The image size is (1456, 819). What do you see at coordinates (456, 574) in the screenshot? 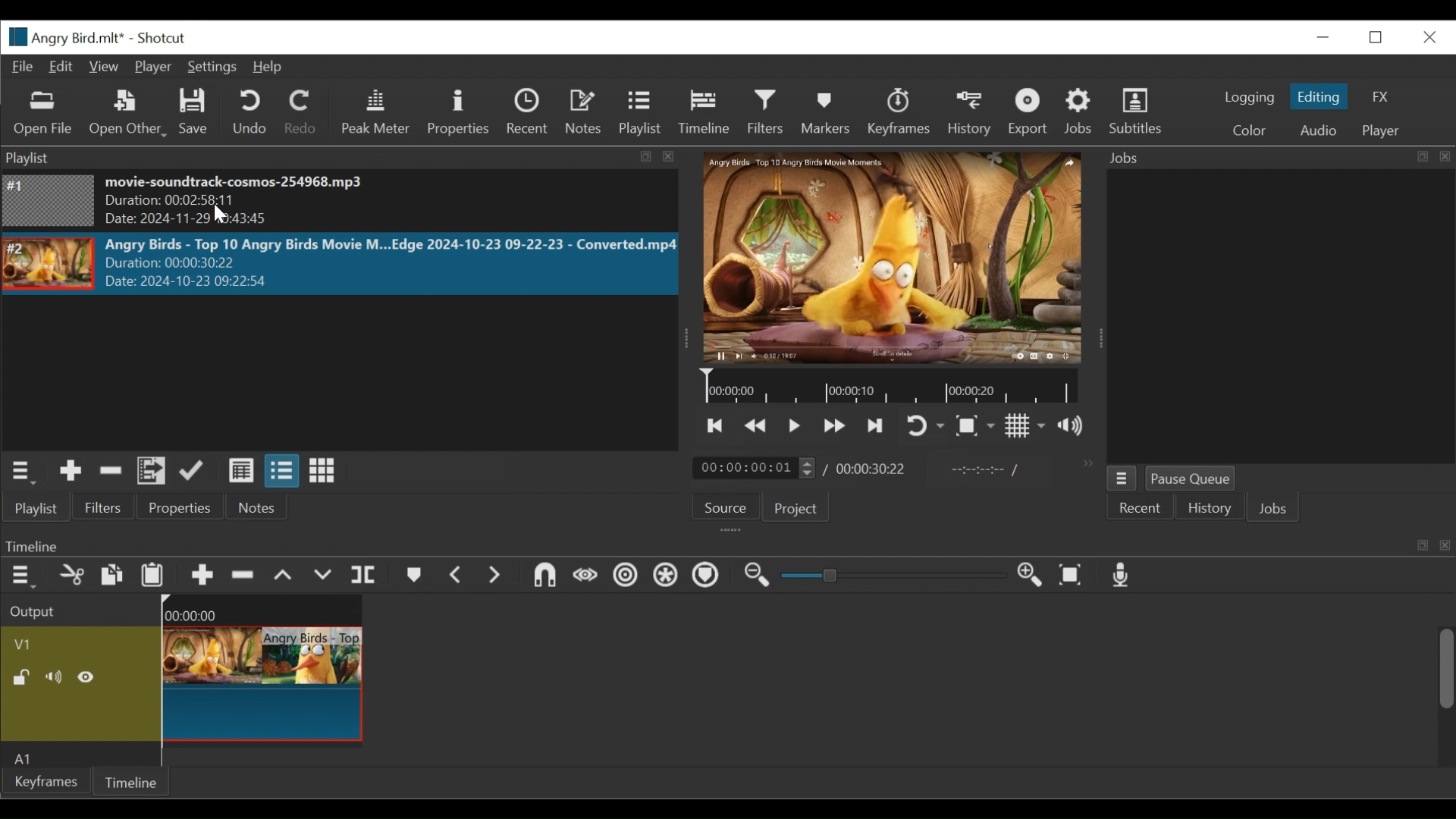
I see `Previous marker` at bounding box center [456, 574].